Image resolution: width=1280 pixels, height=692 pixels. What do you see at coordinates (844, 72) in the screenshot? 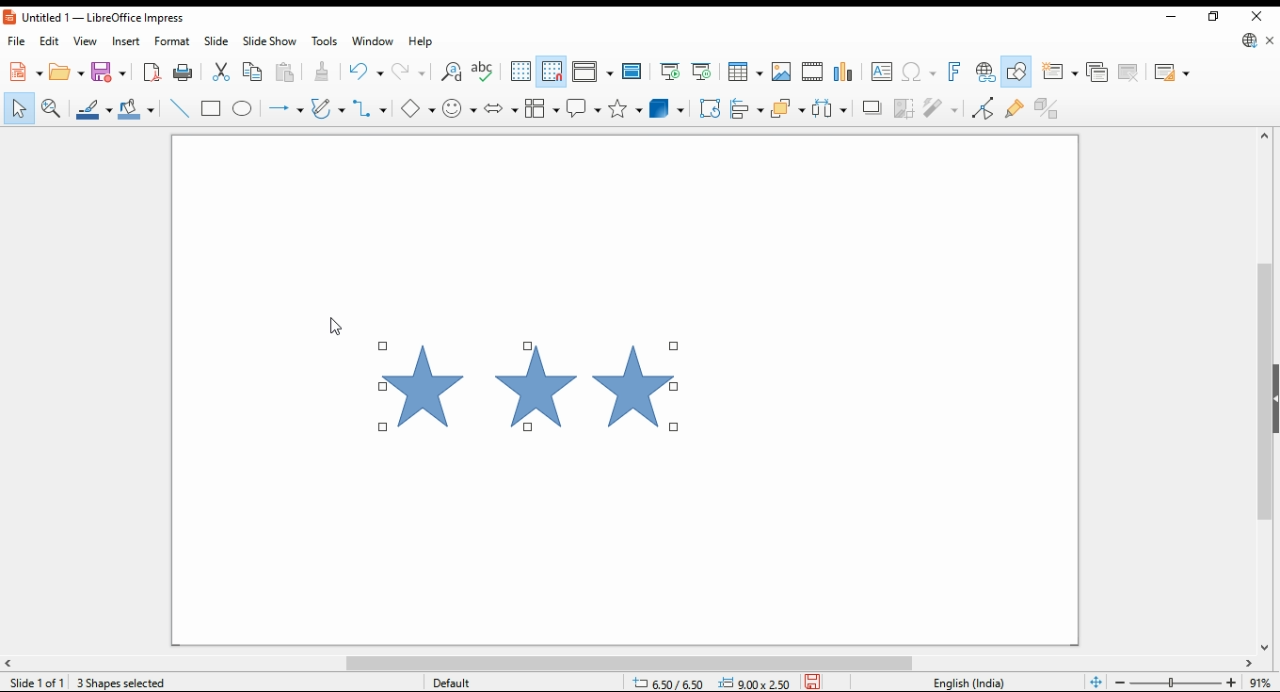
I see `insert charts` at bounding box center [844, 72].